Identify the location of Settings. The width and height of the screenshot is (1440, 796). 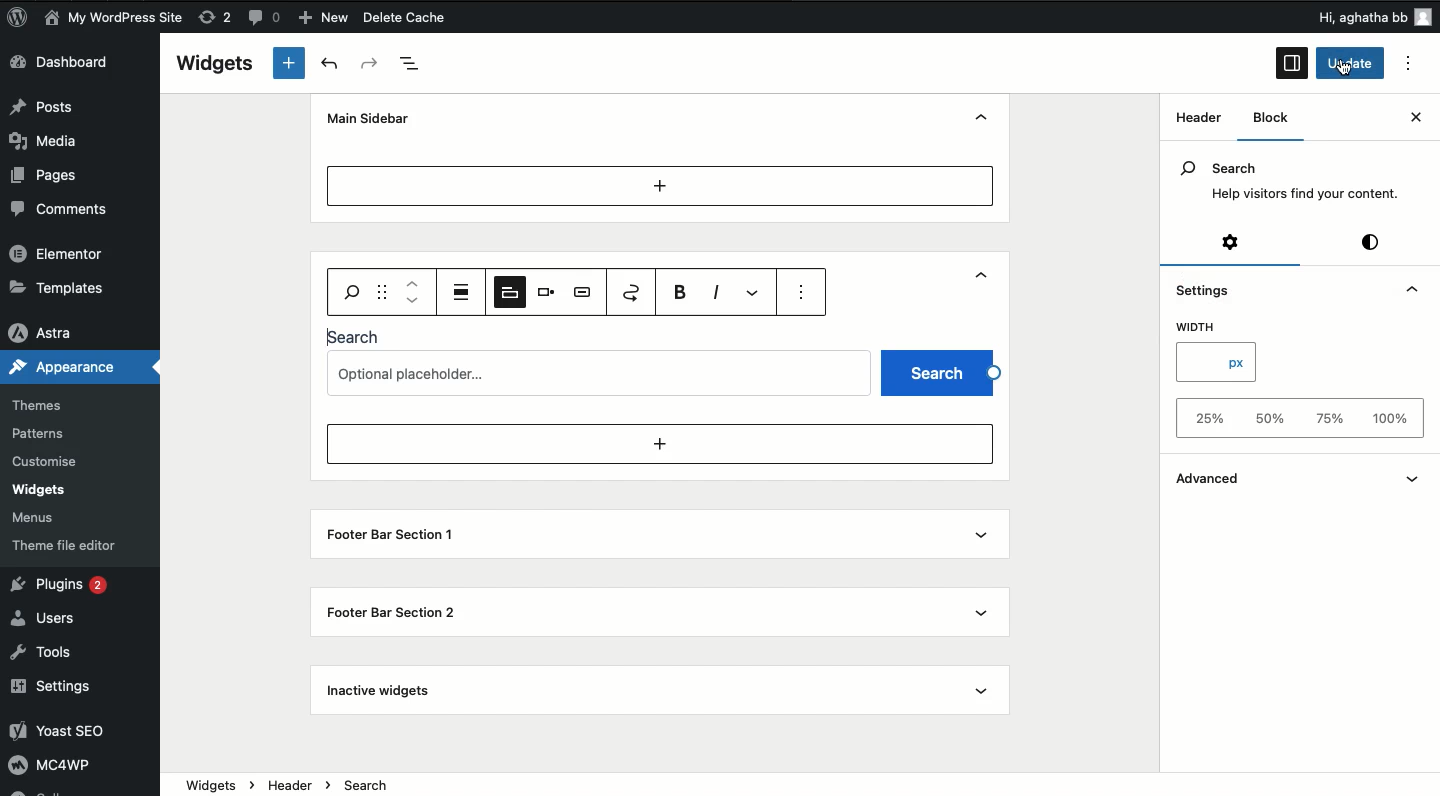
(62, 686).